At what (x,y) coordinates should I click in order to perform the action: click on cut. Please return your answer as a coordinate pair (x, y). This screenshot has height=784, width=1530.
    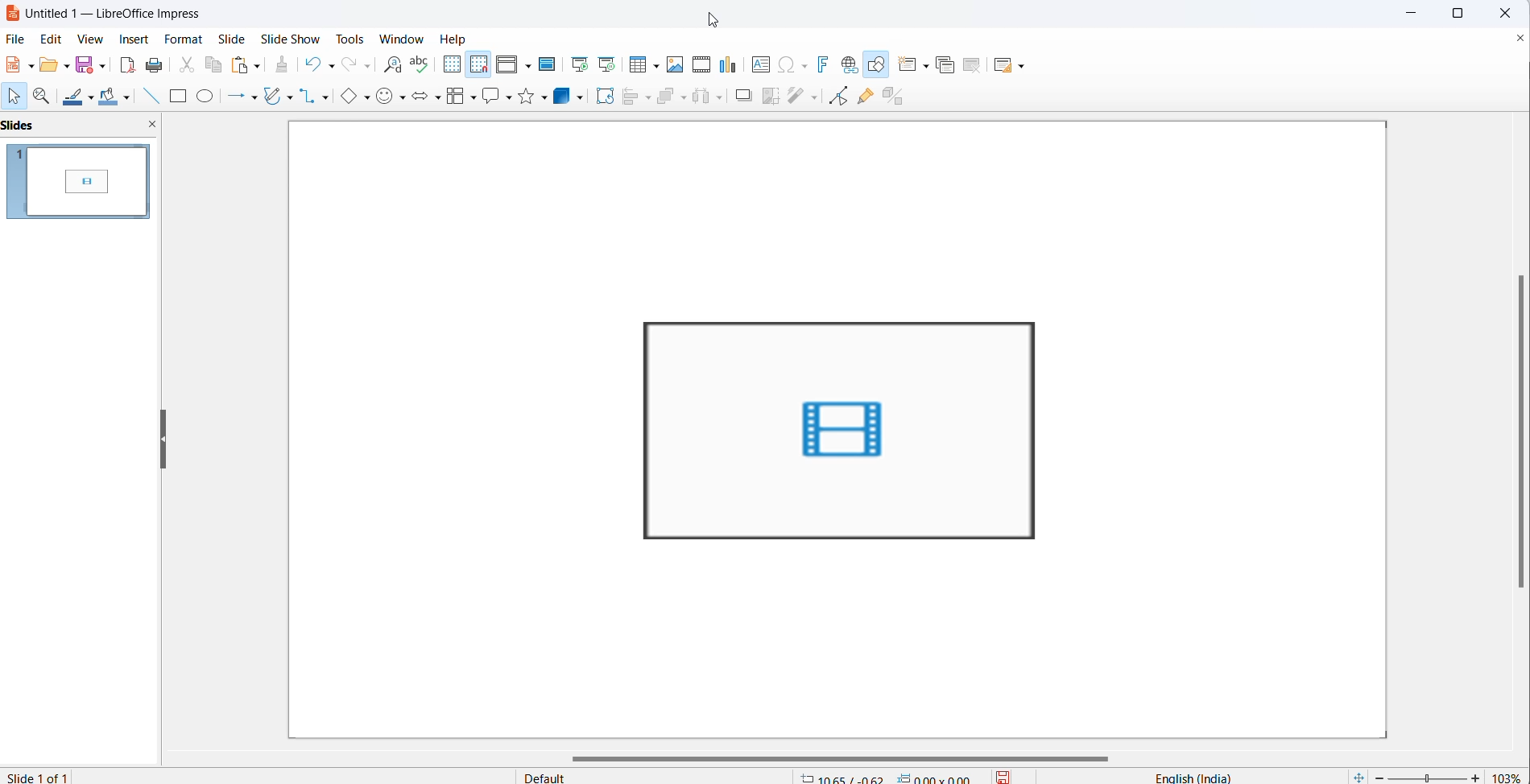
    Looking at the image, I should click on (183, 65).